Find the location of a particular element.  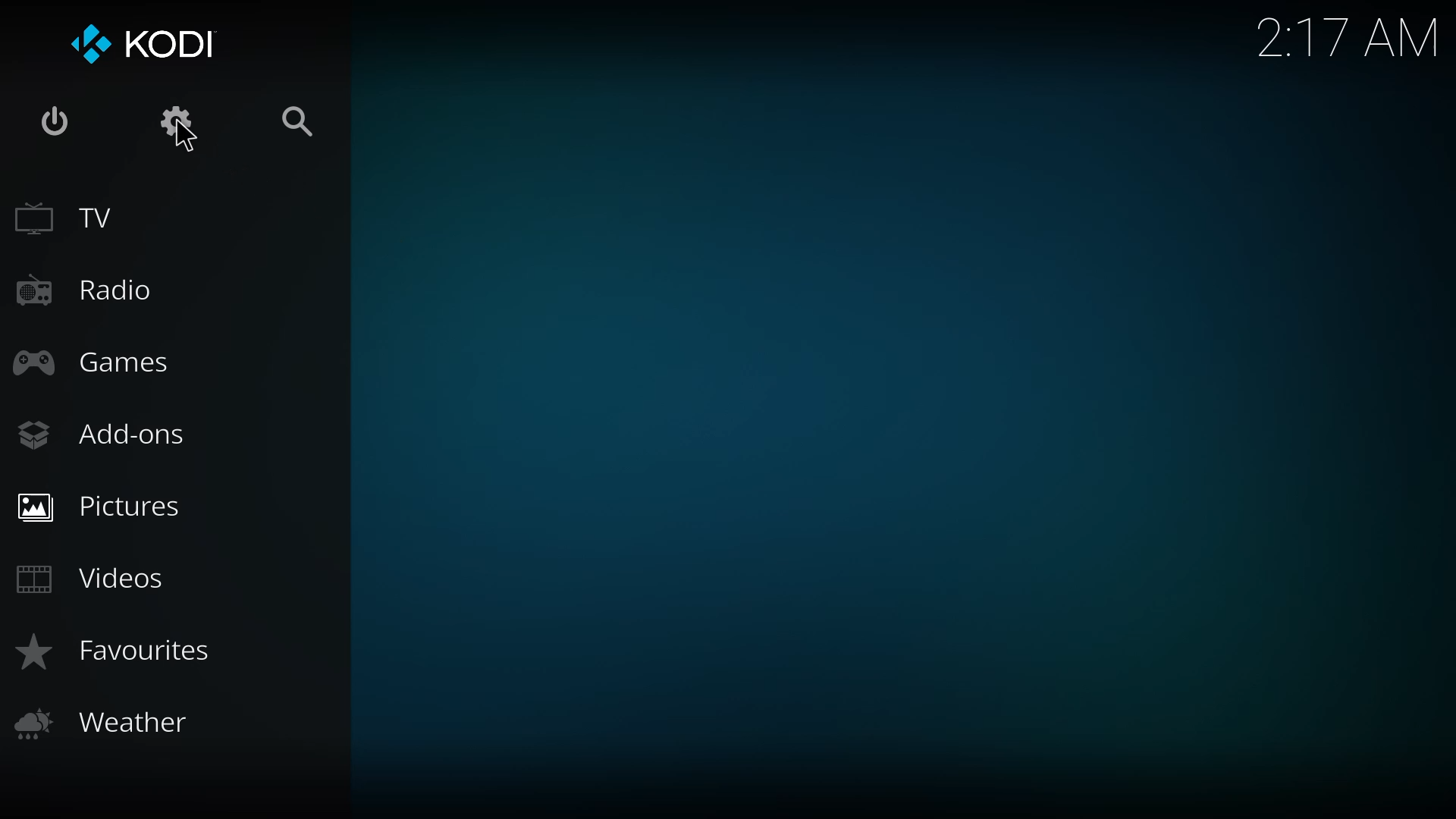

tv is located at coordinates (73, 215).